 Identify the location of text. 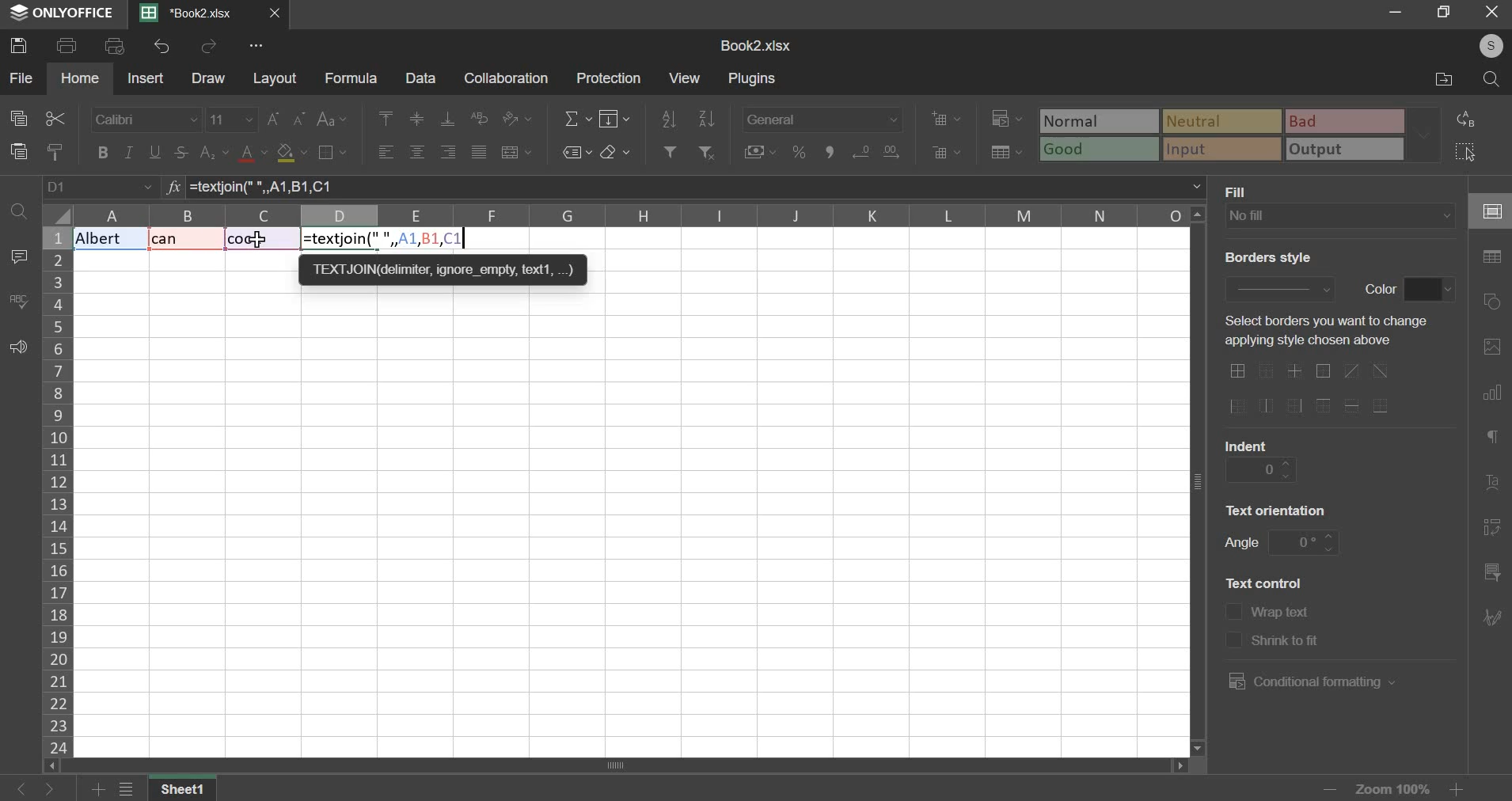
(1264, 582).